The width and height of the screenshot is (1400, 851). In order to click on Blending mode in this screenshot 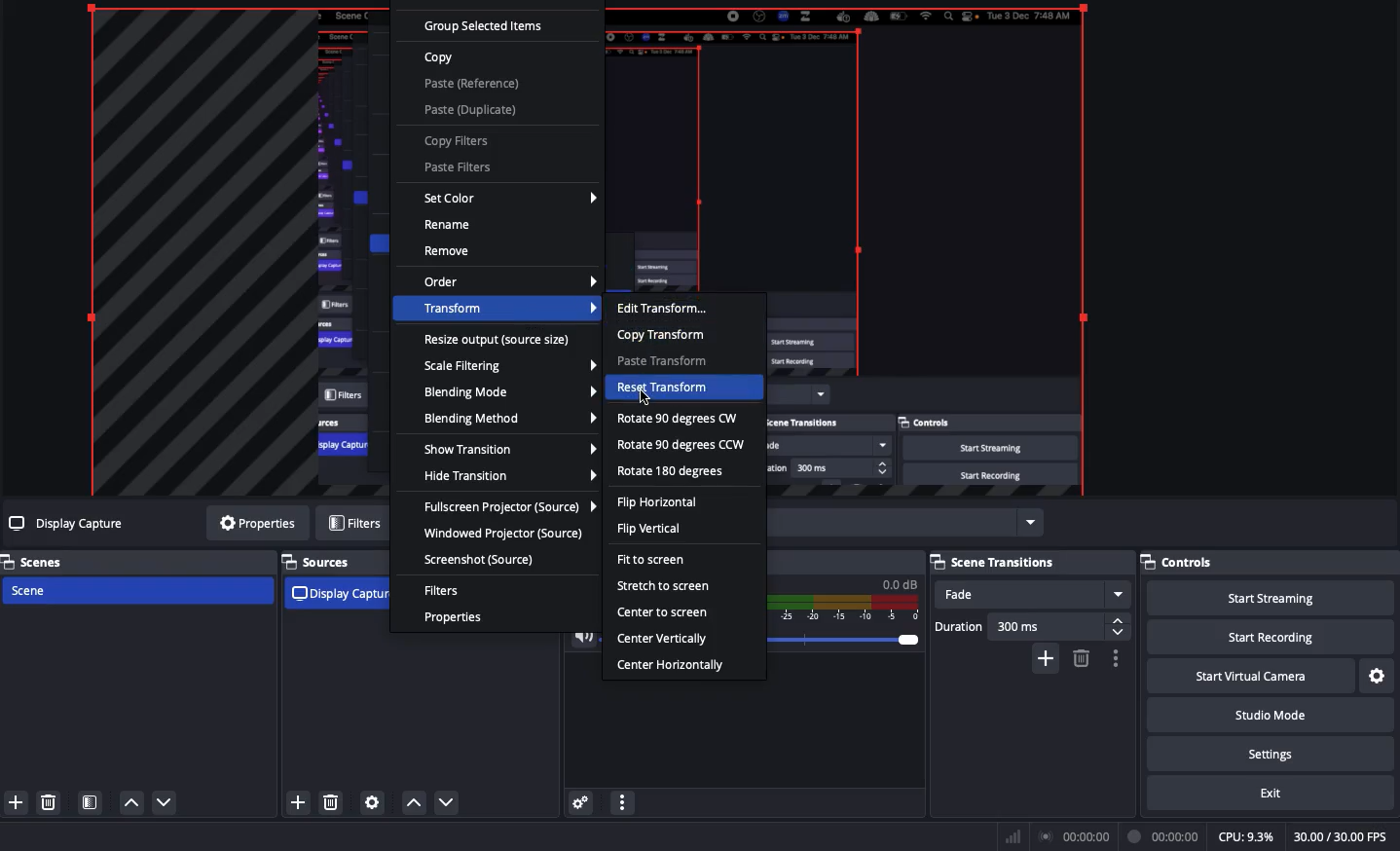, I will do `click(512, 392)`.